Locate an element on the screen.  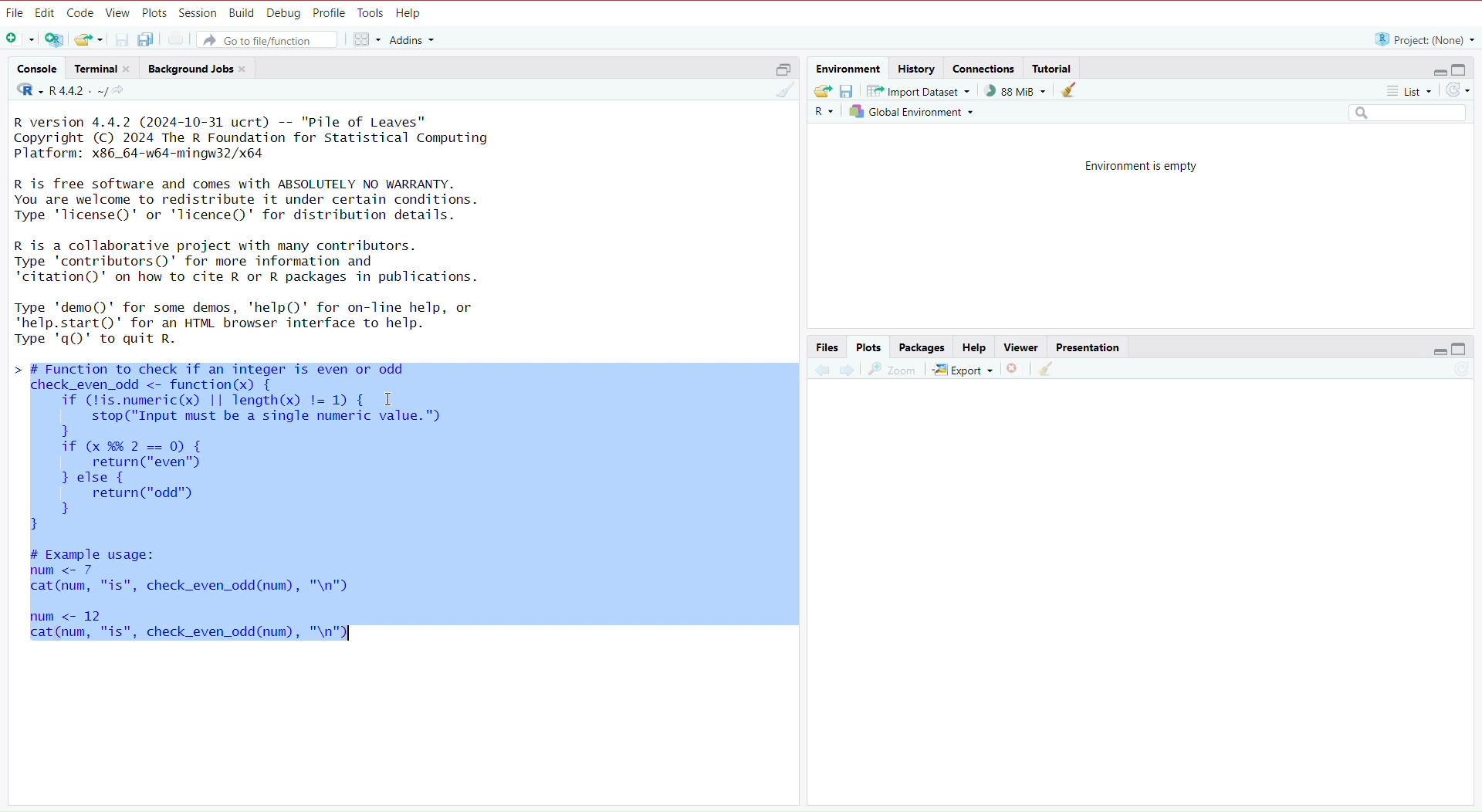
load workspace is located at coordinates (823, 91).